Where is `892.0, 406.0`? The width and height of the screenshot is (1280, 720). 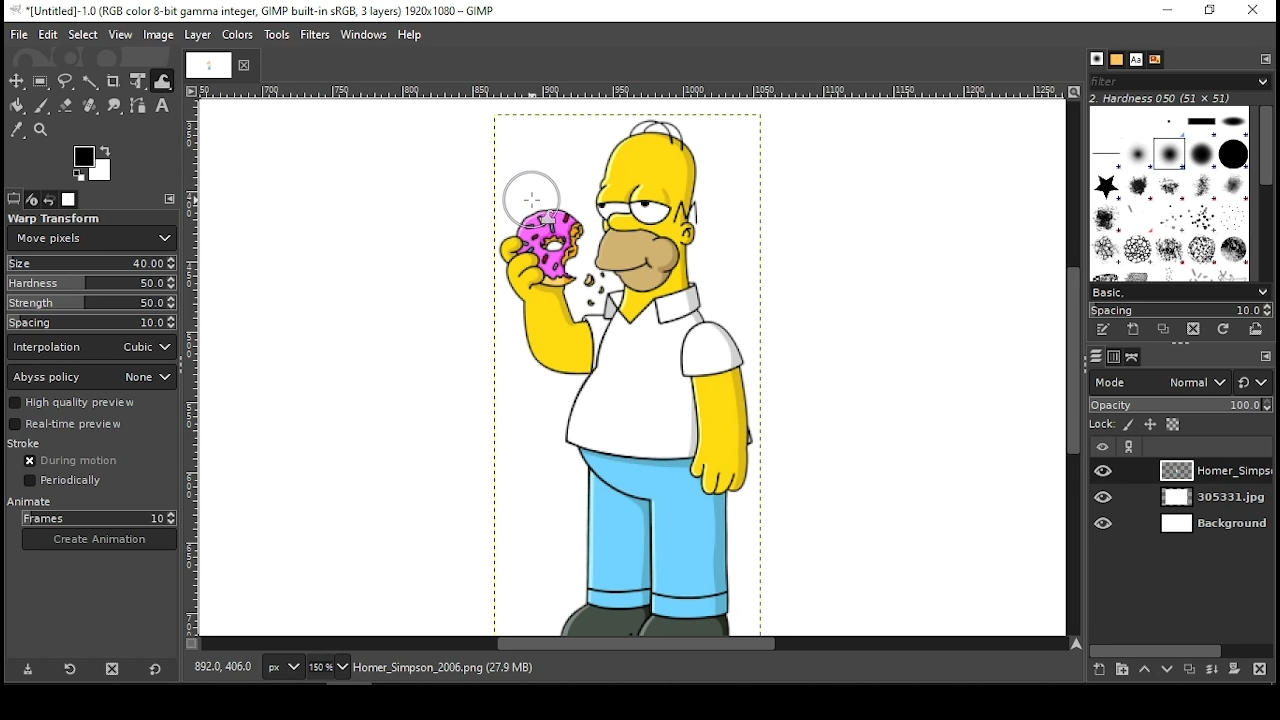
892.0, 406.0 is located at coordinates (223, 668).